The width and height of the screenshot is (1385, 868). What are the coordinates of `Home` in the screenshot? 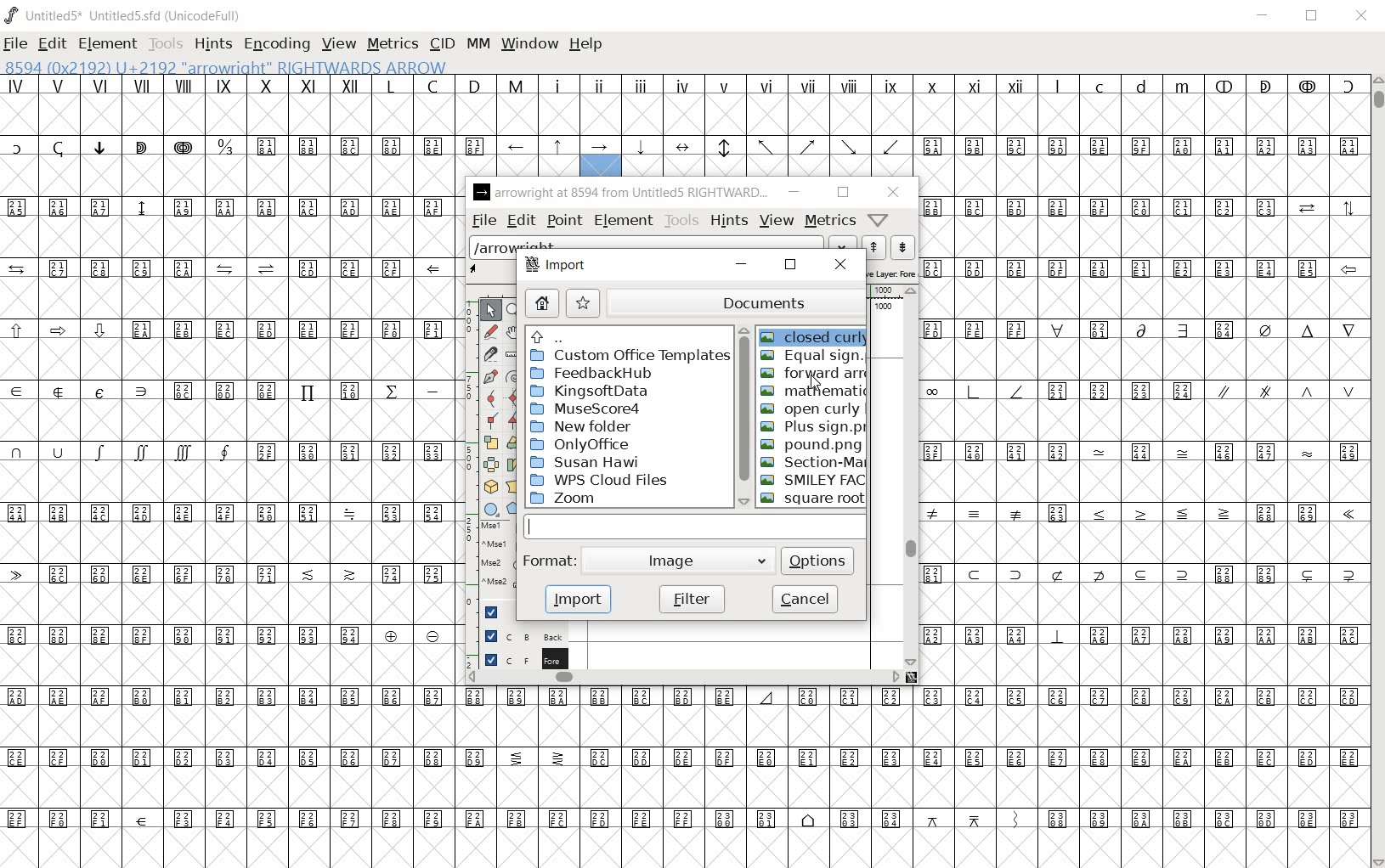 It's located at (542, 304).